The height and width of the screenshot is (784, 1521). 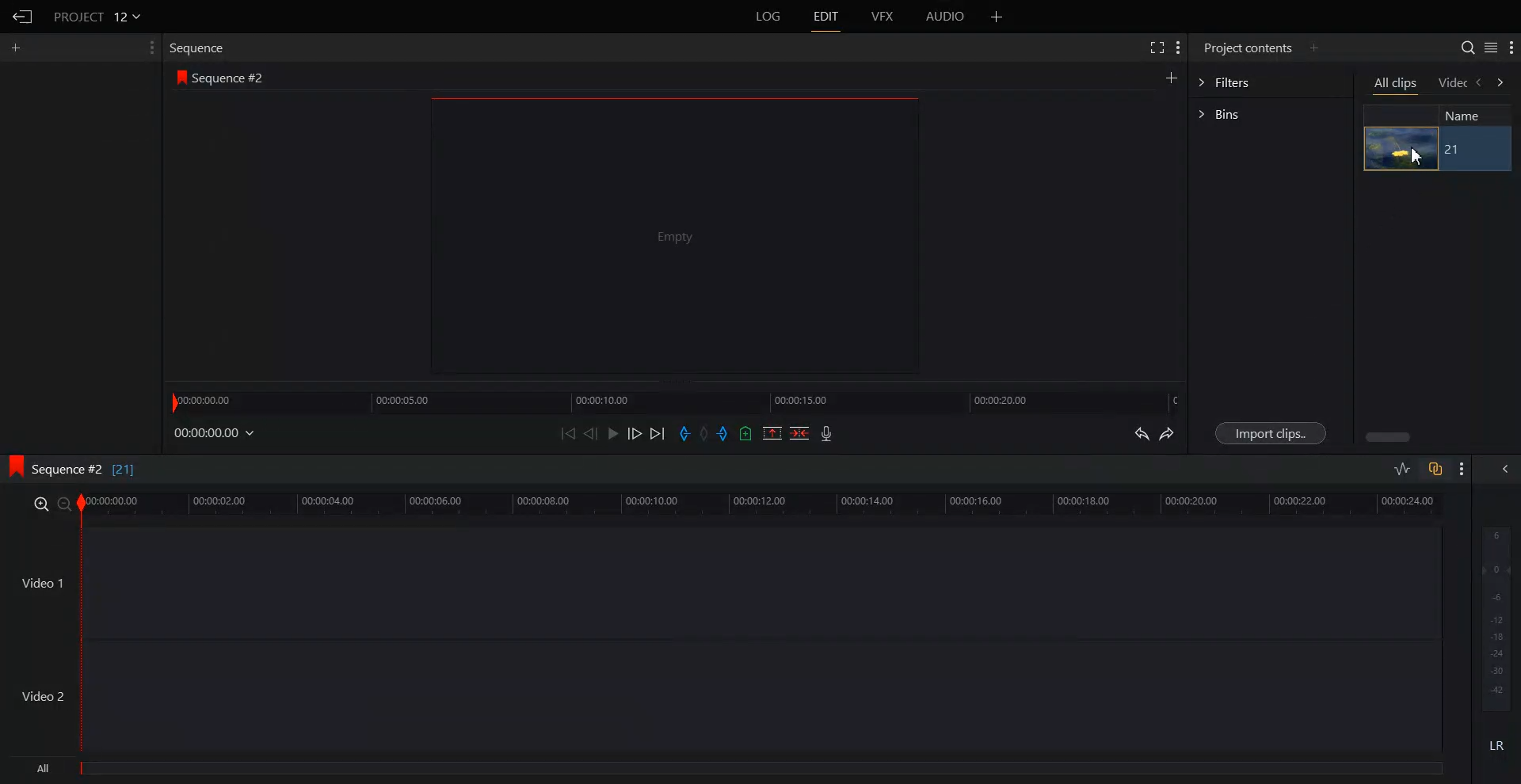 I want to click on Delete/Cut, so click(x=800, y=433).